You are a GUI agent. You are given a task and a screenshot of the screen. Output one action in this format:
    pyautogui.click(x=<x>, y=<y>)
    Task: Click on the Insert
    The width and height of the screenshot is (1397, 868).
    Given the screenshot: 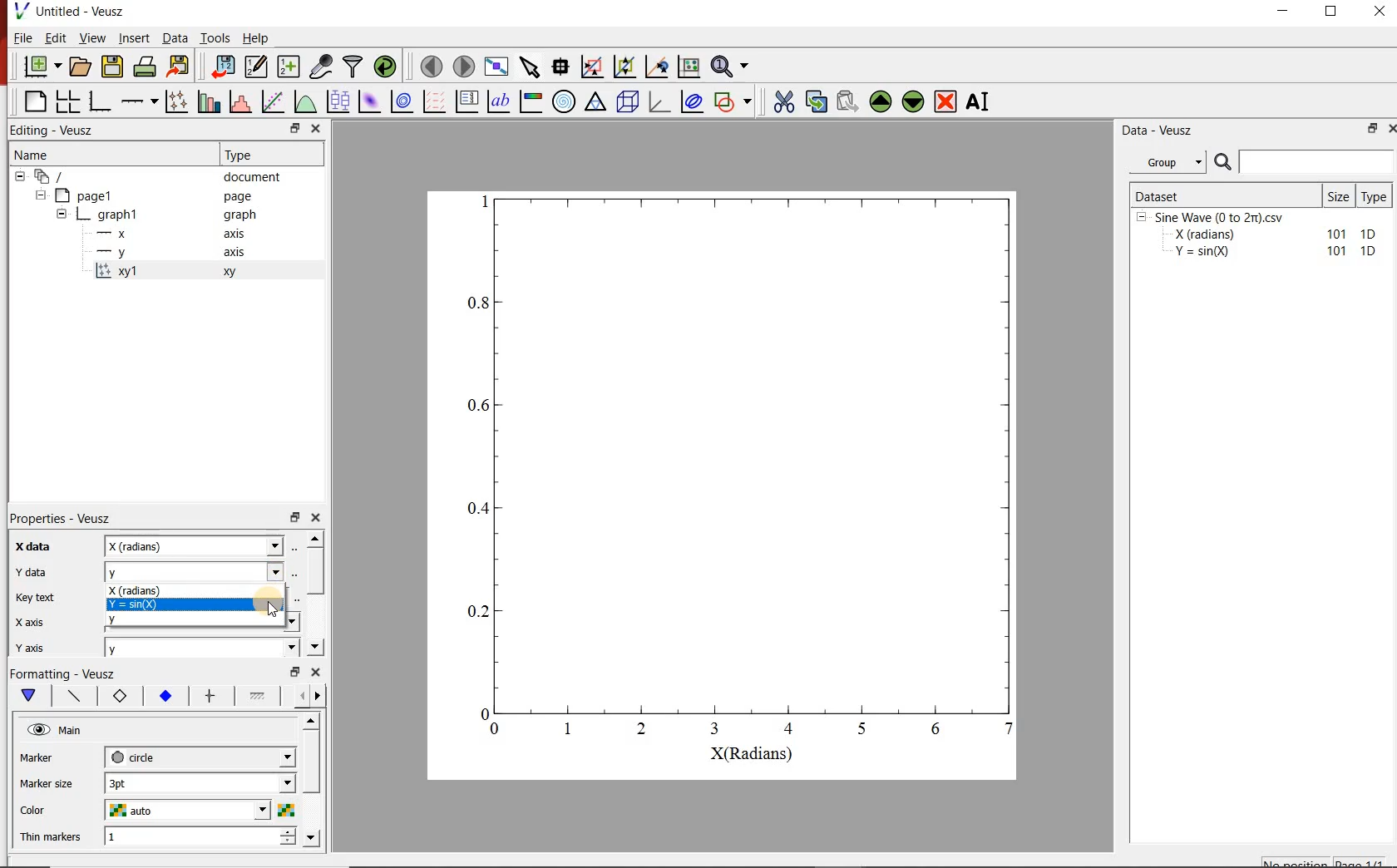 What is the action you would take?
    pyautogui.click(x=135, y=37)
    